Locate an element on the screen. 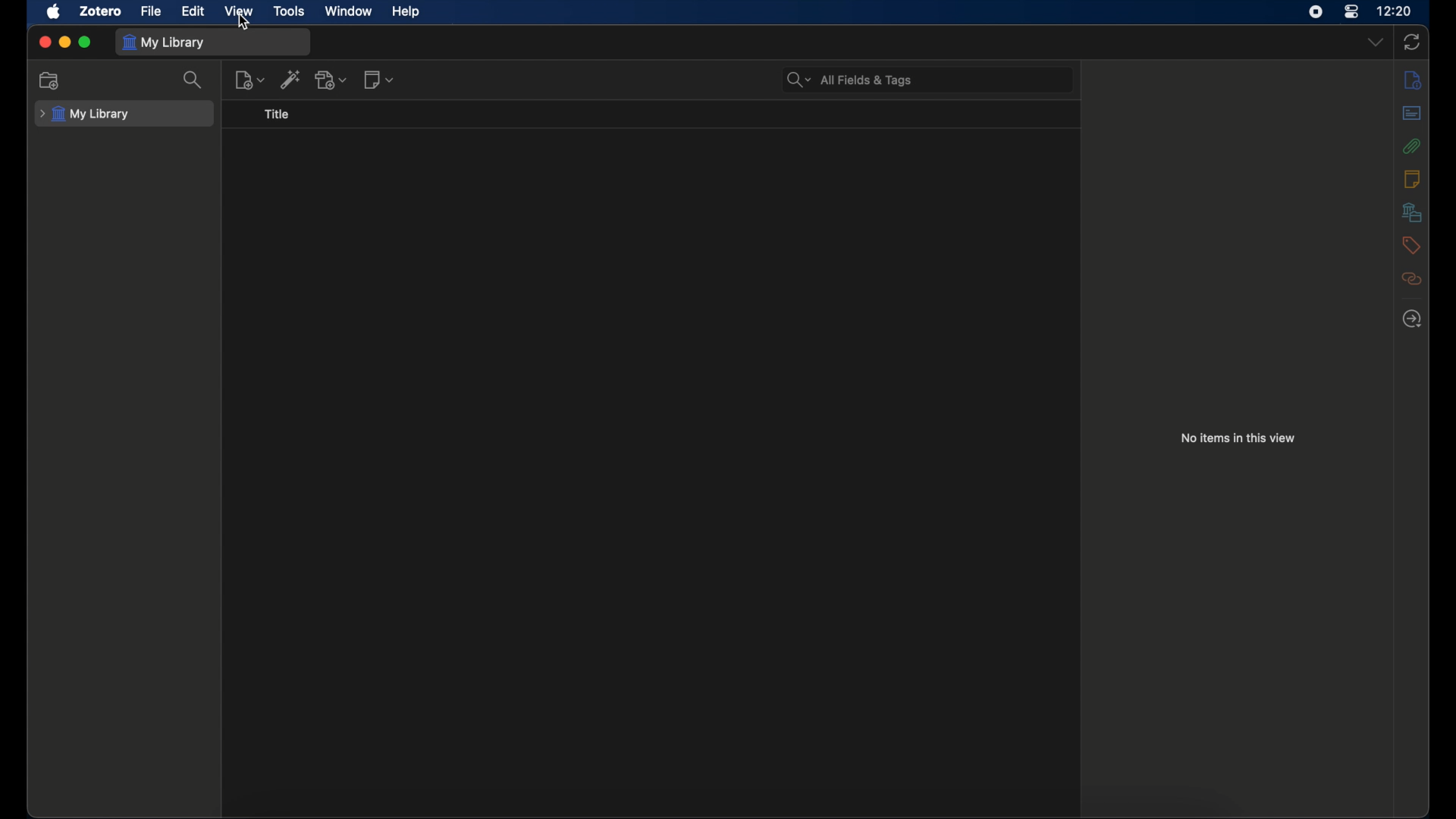 The image size is (1456, 819). window is located at coordinates (347, 11).